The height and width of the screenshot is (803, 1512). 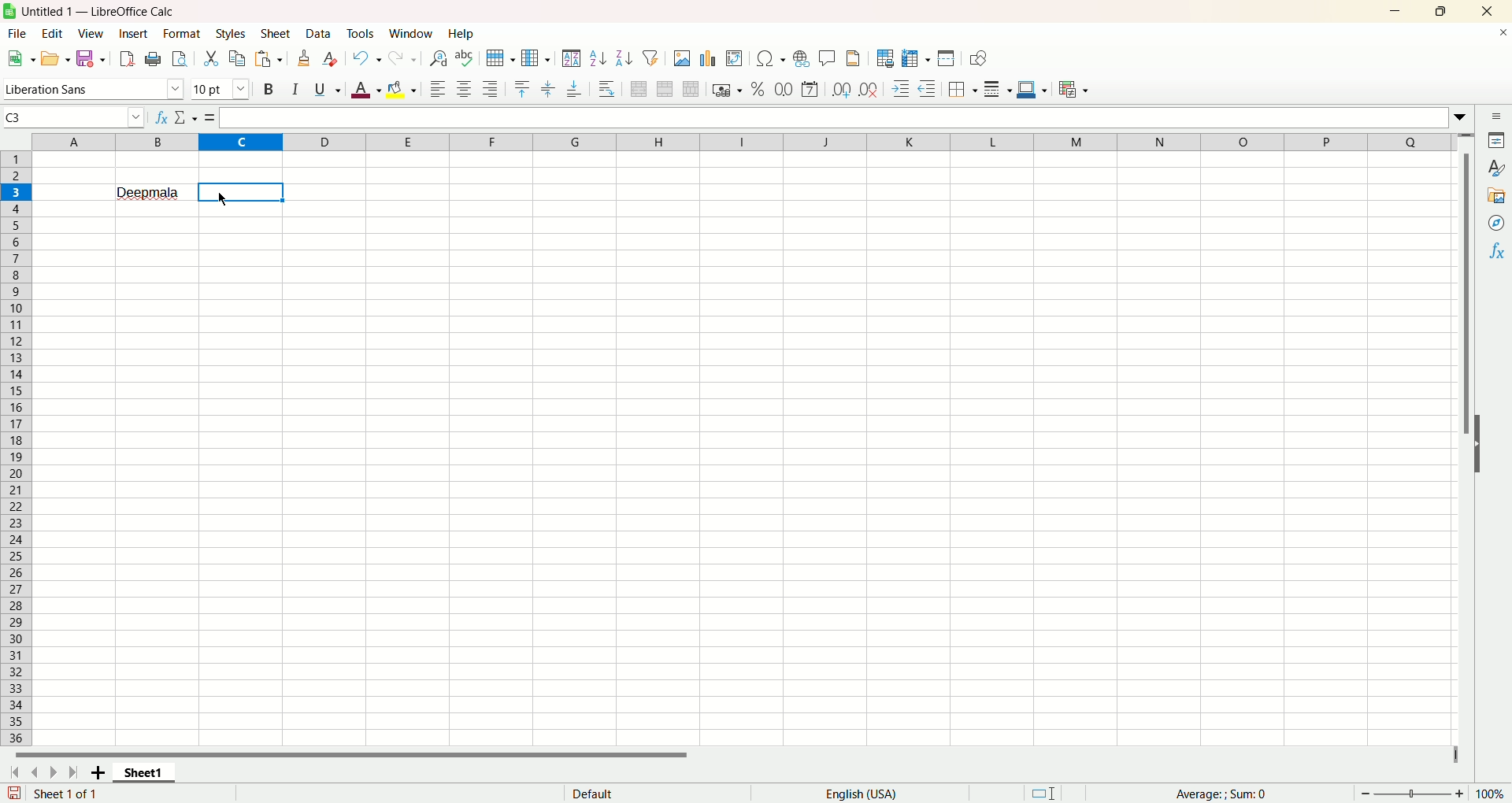 I want to click on Row , so click(x=19, y=447).